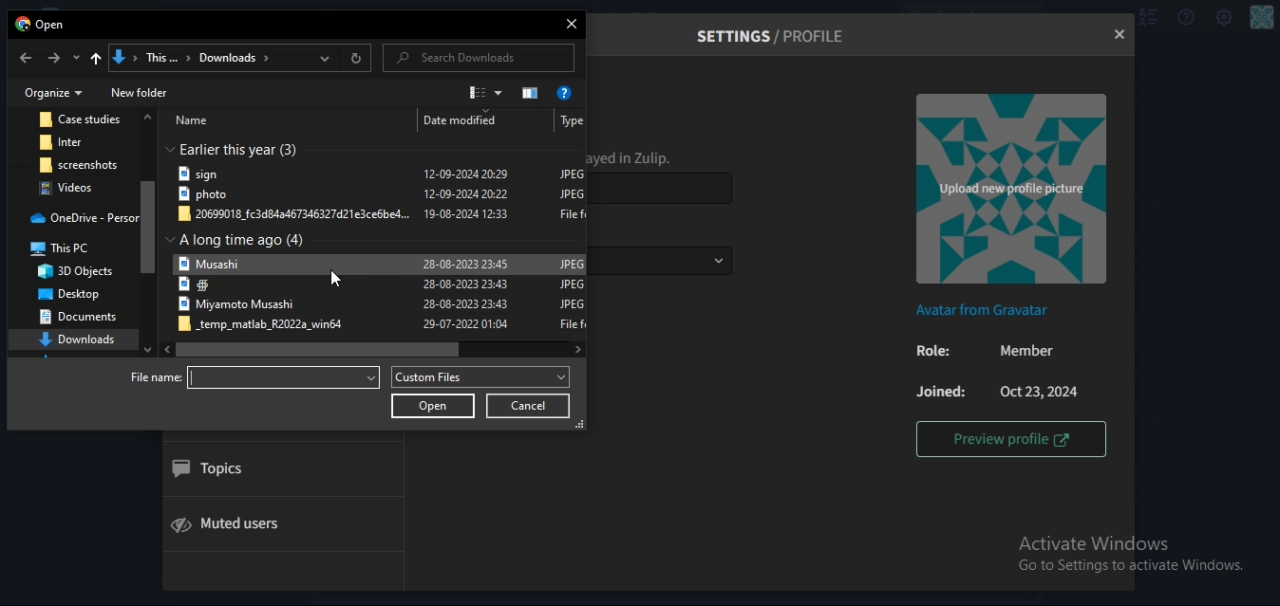 The image size is (1280, 606). Describe the element at coordinates (241, 523) in the screenshot. I see `Muted users` at that location.